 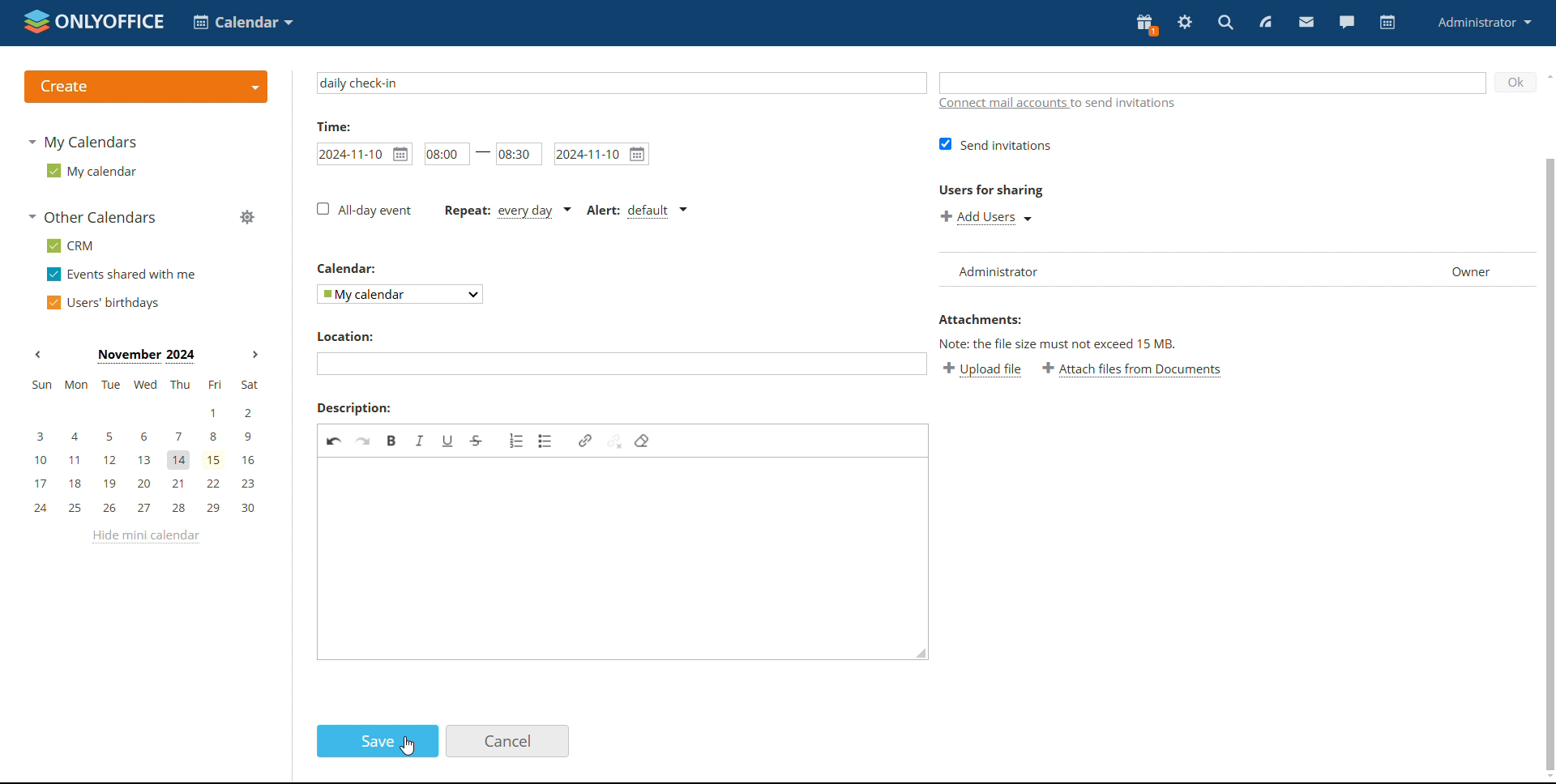 I want to click on settings, so click(x=1186, y=23).